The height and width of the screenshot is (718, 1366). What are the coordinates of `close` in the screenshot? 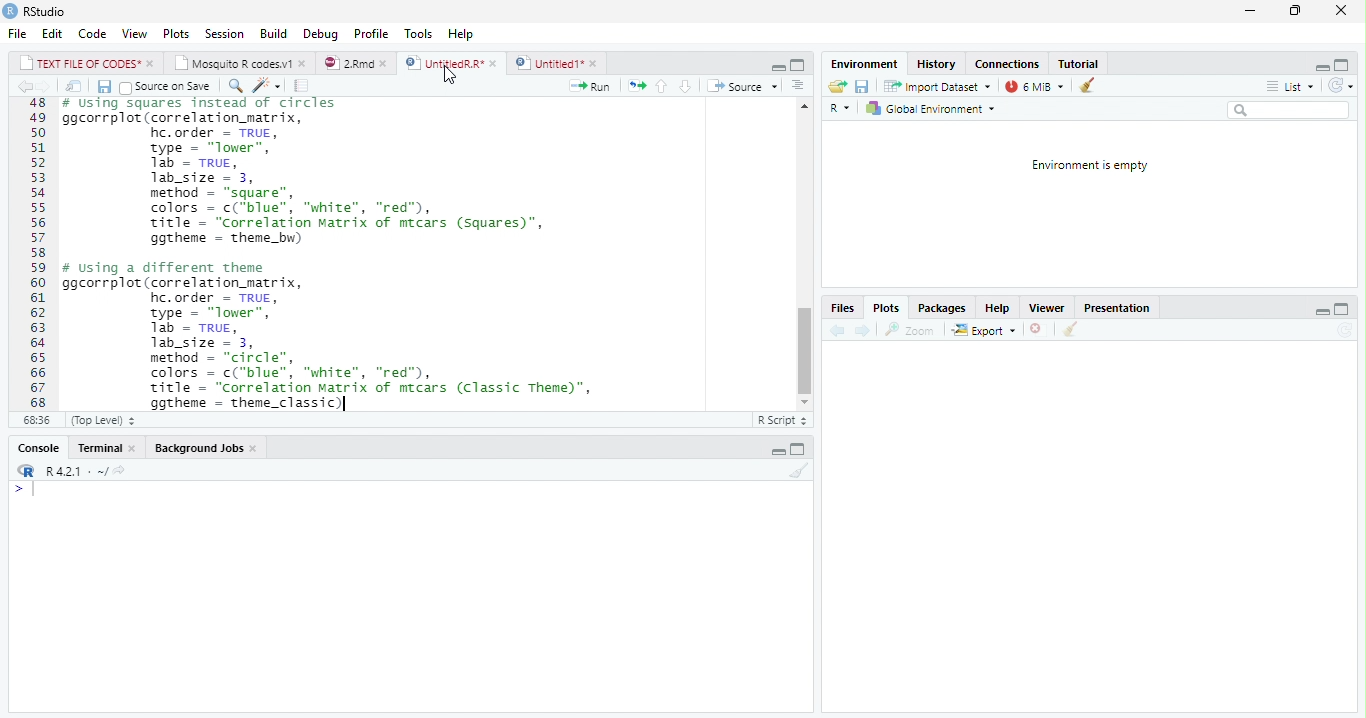 It's located at (1337, 10).